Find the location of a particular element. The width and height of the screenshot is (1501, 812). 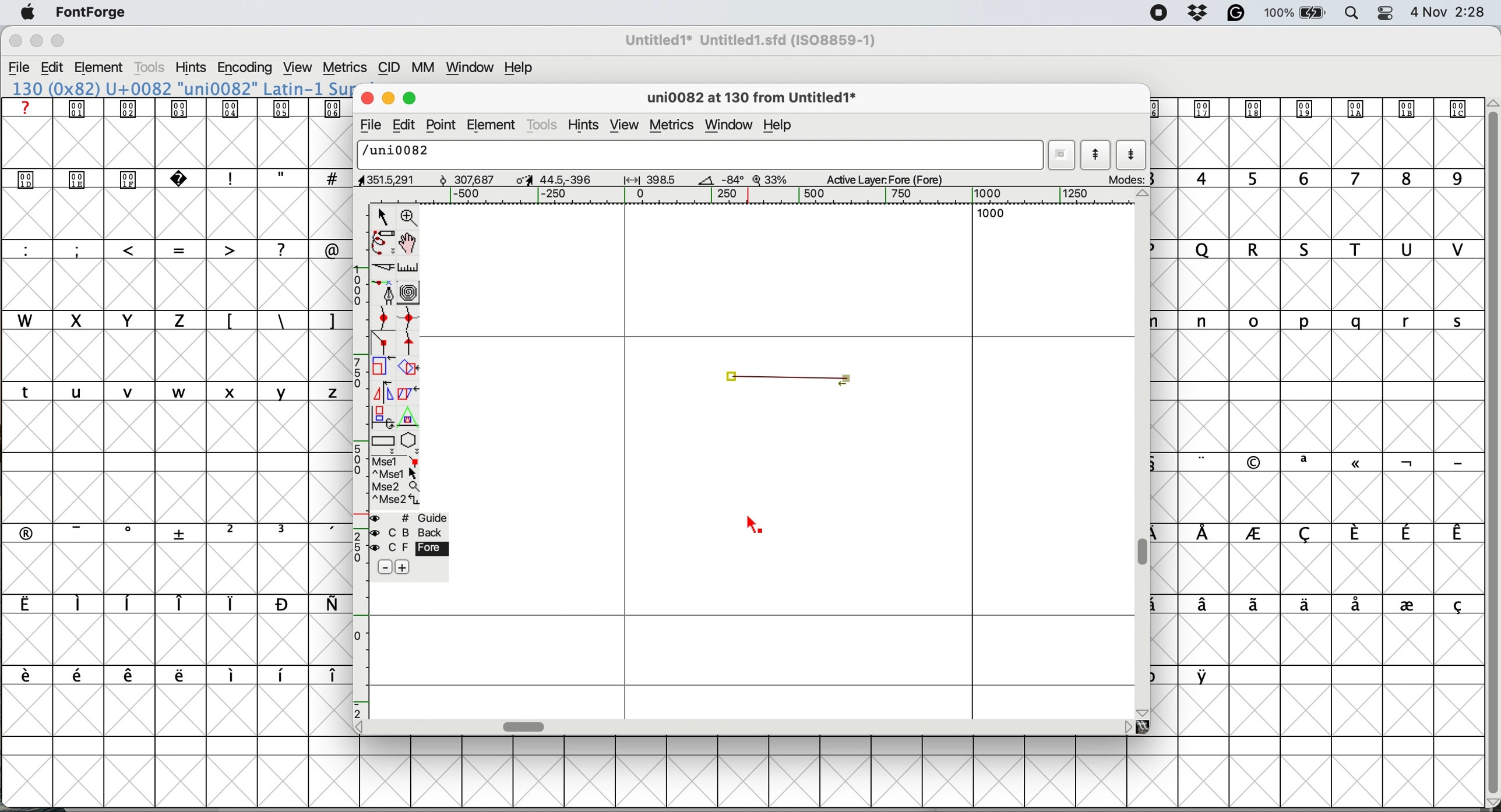

horizontal scroll bar is located at coordinates (526, 726).